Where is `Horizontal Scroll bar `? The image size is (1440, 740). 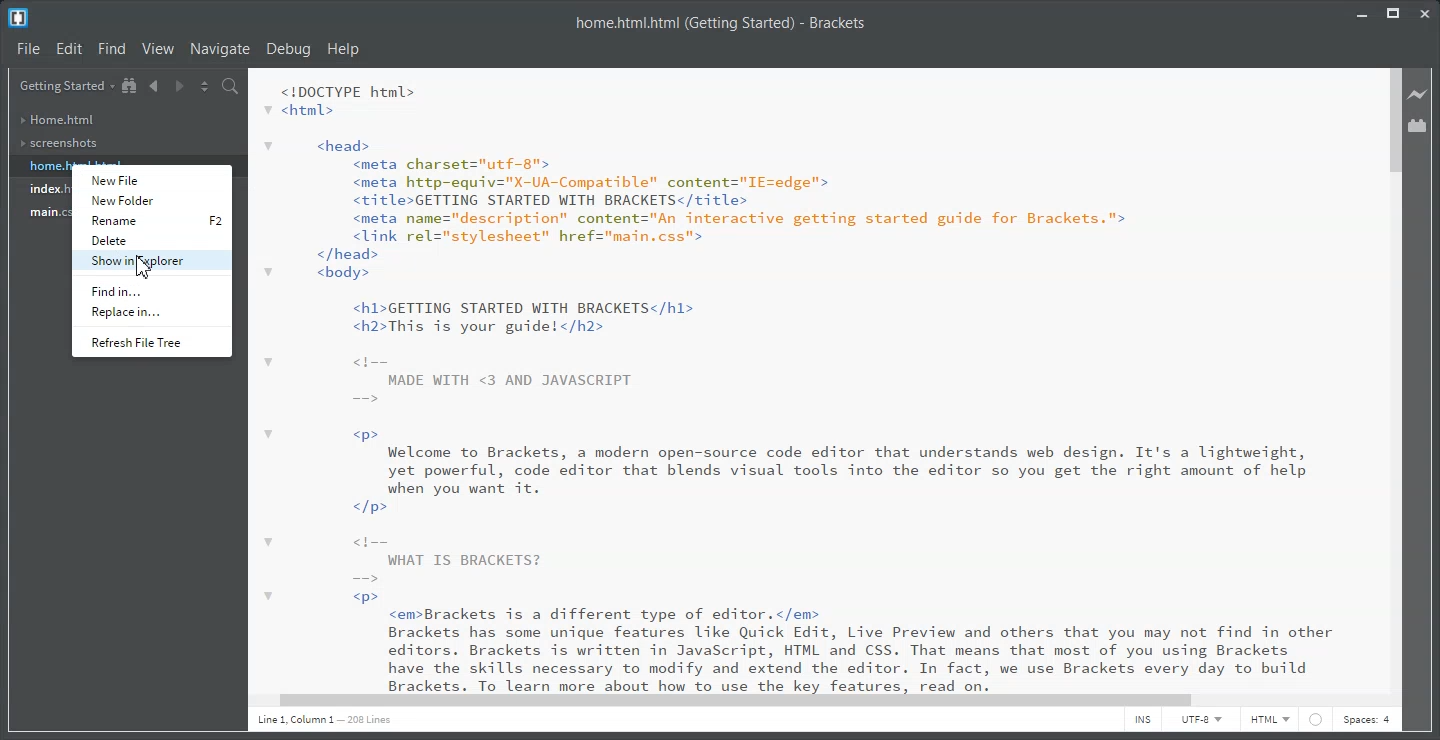 Horizontal Scroll bar  is located at coordinates (810, 699).